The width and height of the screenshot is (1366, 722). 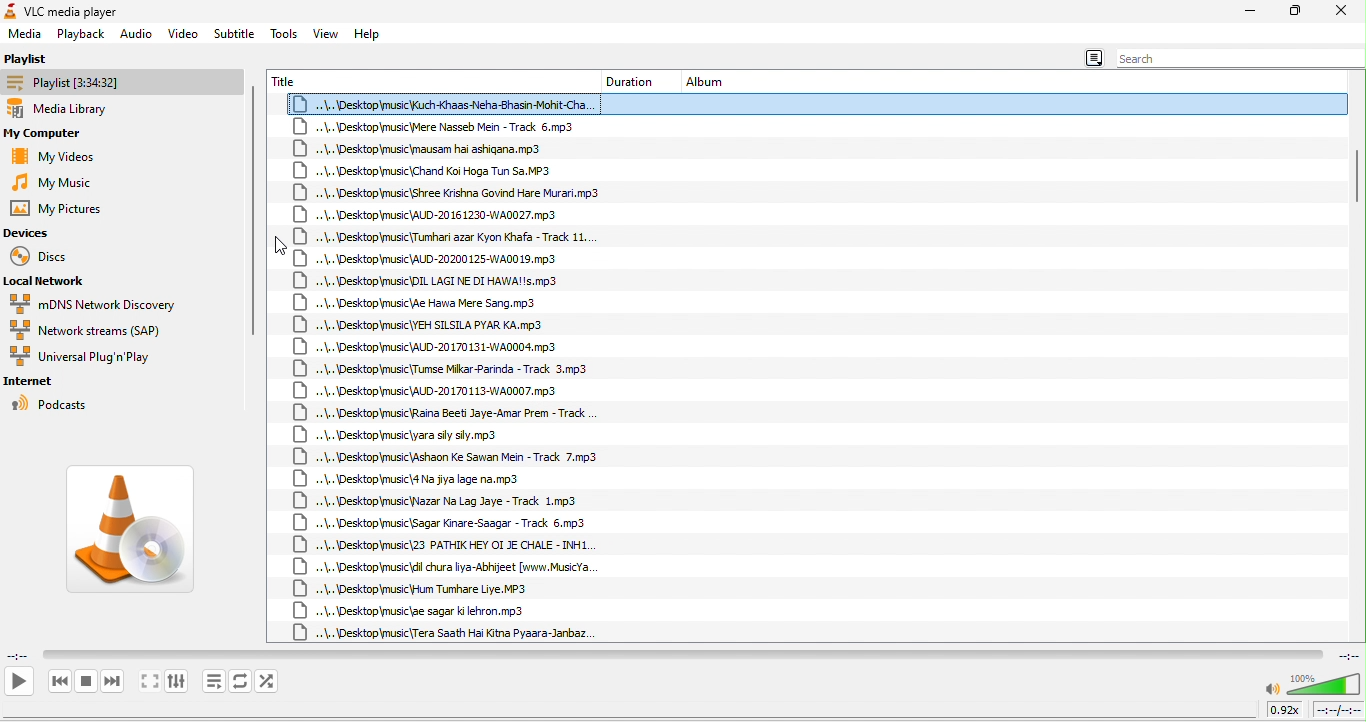 What do you see at coordinates (430, 346) in the screenshot?
I see `+.\.\Desktop\music\AUD-20170131-WA0004.mp3` at bounding box center [430, 346].